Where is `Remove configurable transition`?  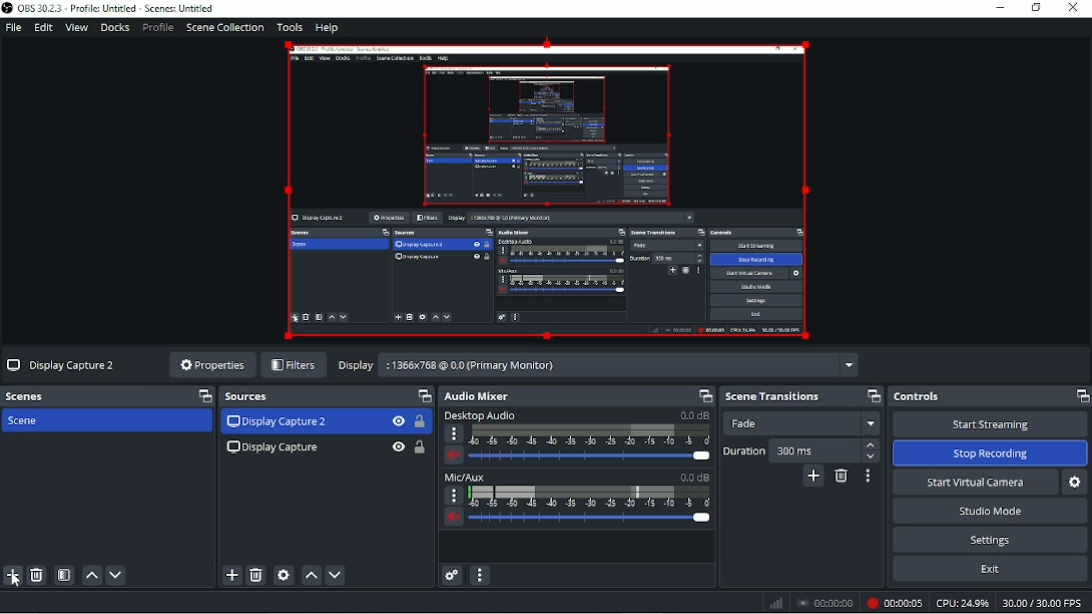 Remove configurable transition is located at coordinates (843, 477).